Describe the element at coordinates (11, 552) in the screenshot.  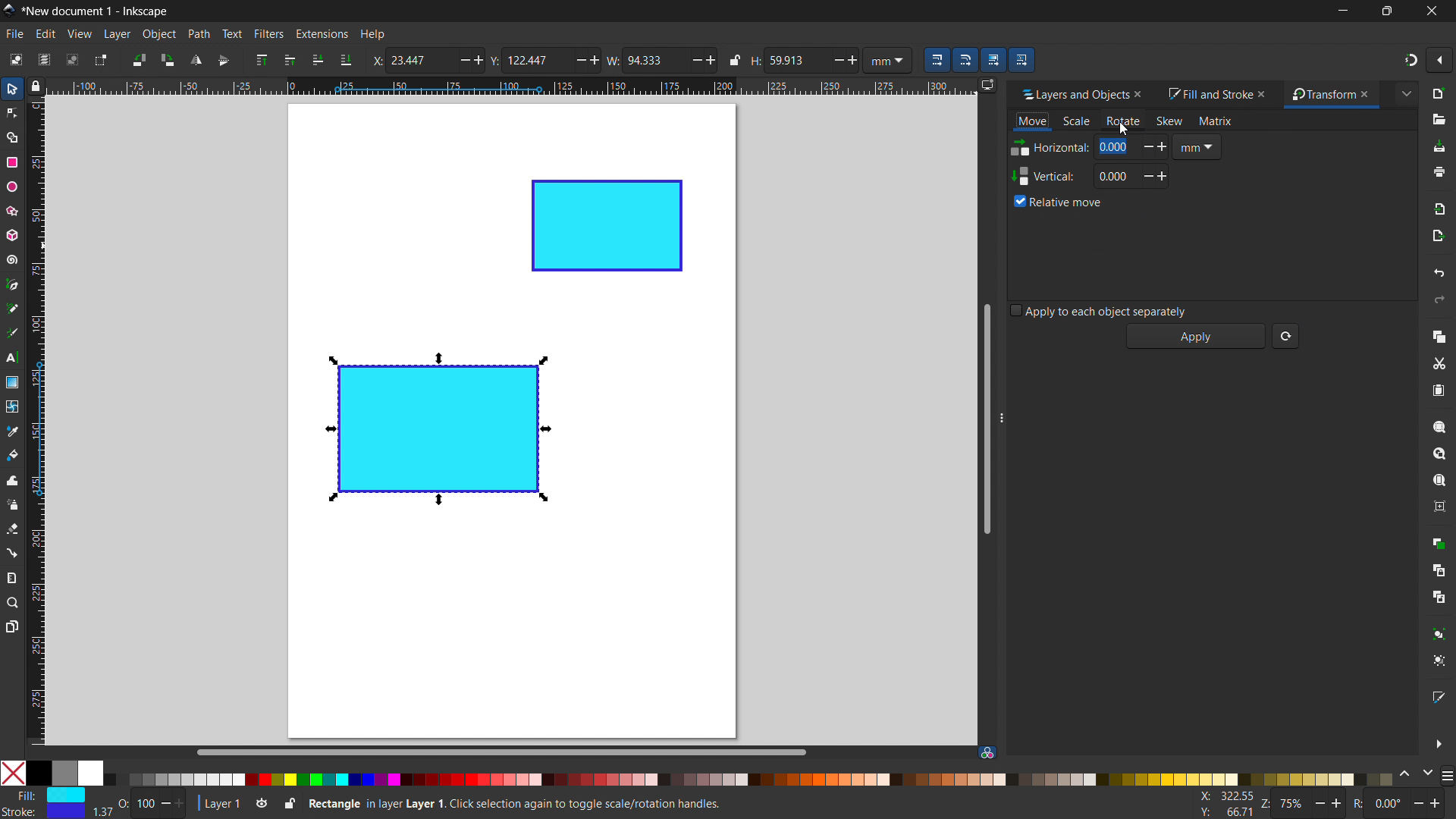
I see `connector tool` at that location.